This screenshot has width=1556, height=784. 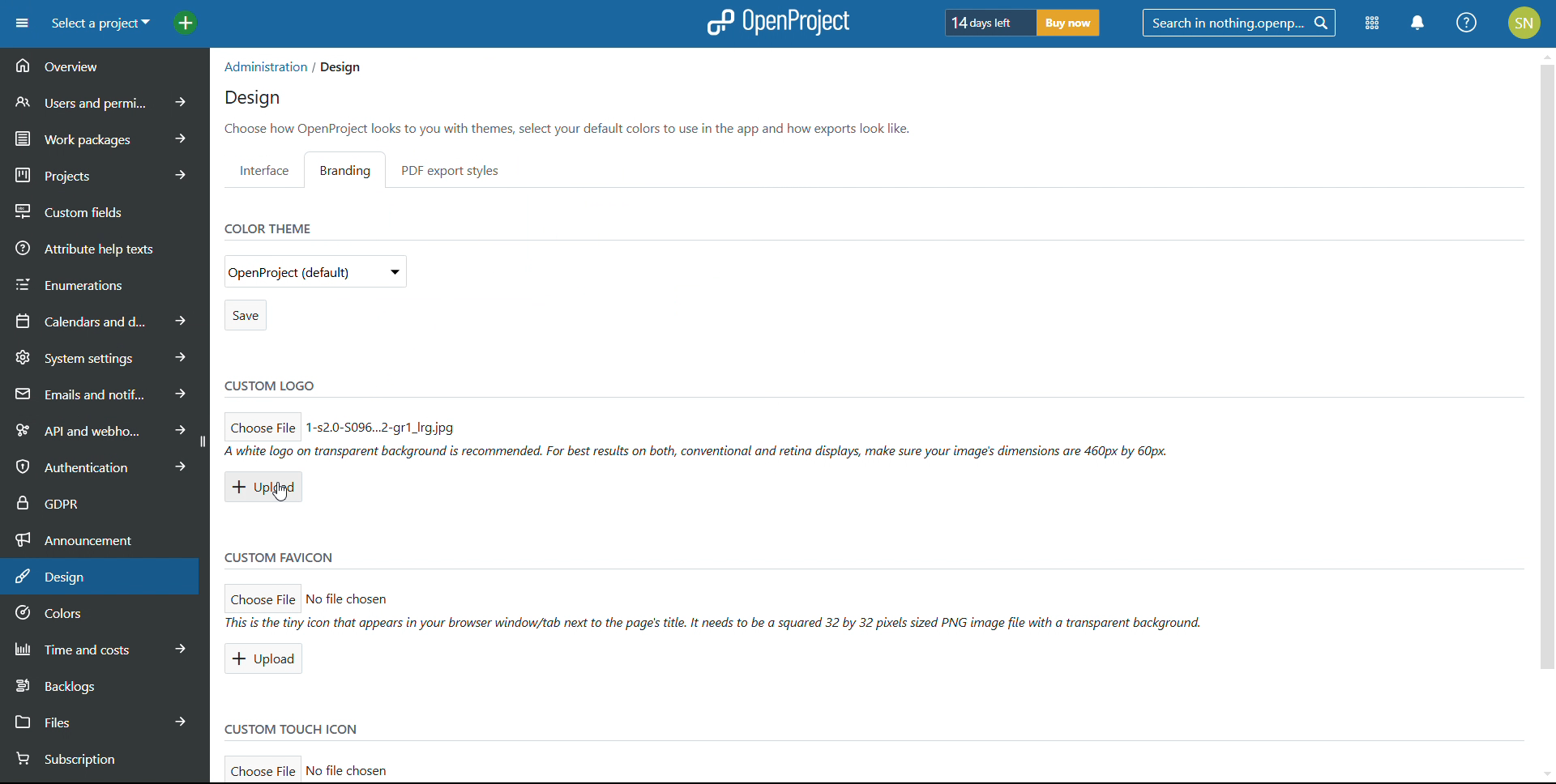 What do you see at coordinates (1238, 23) in the screenshot?
I see `search` at bounding box center [1238, 23].